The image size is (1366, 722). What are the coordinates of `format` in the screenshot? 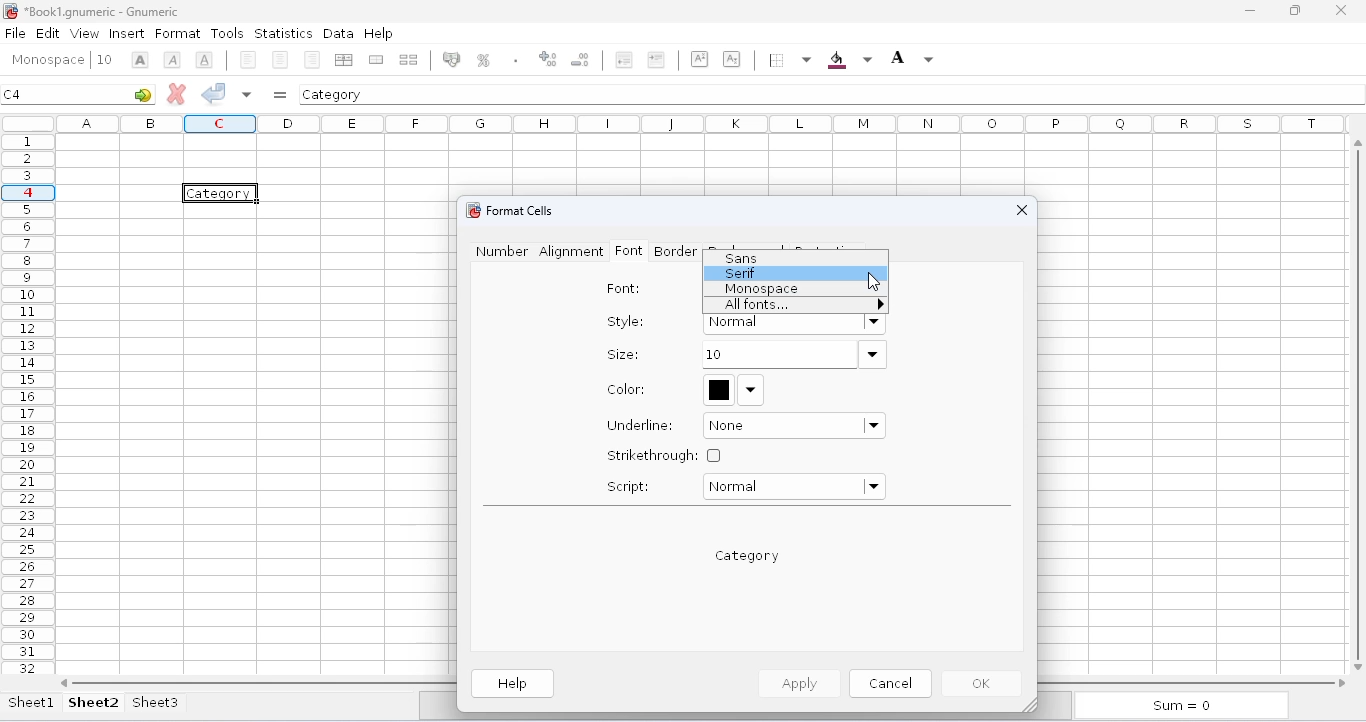 It's located at (178, 34).